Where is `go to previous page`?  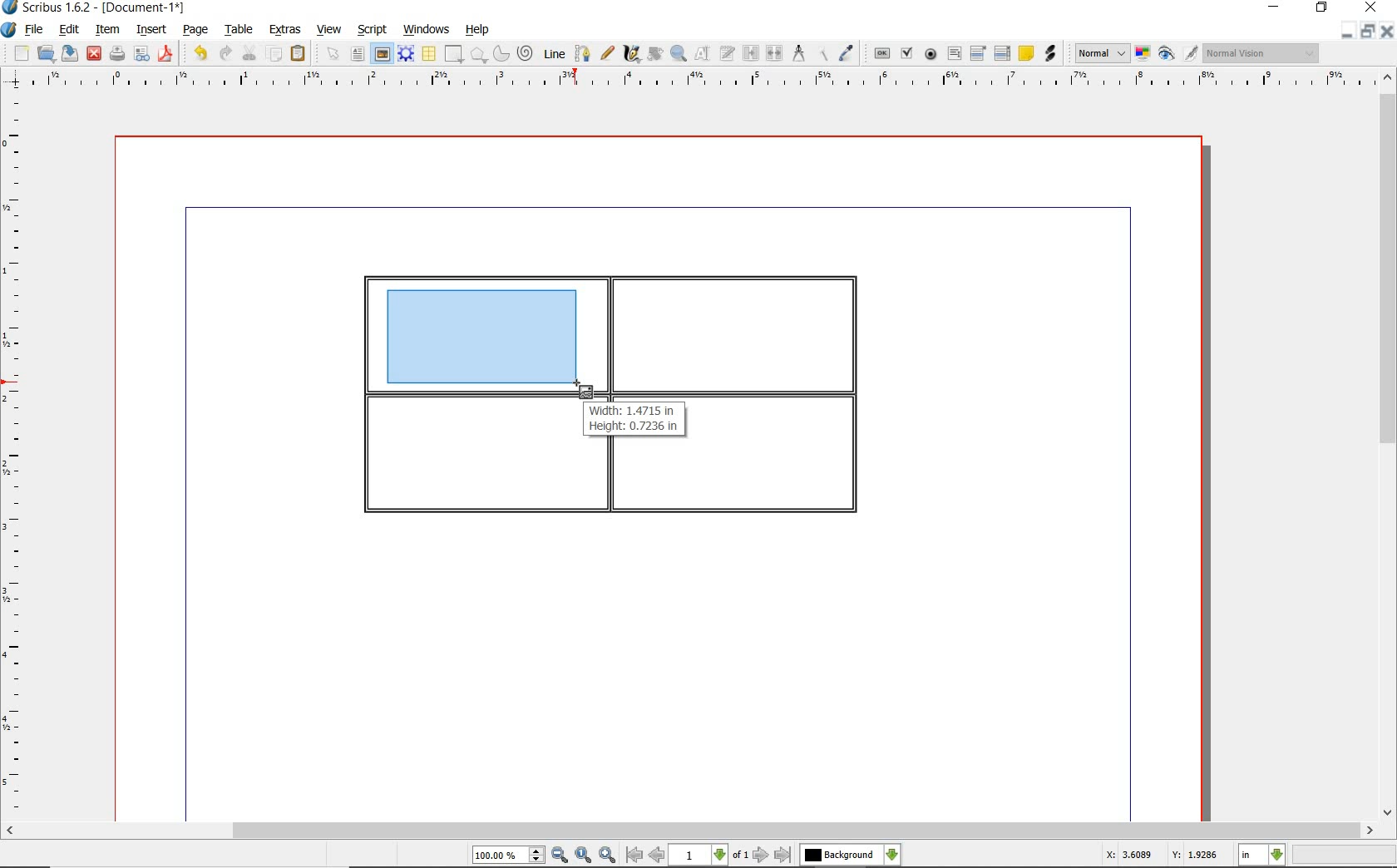
go to previous page is located at coordinates (656, 856).